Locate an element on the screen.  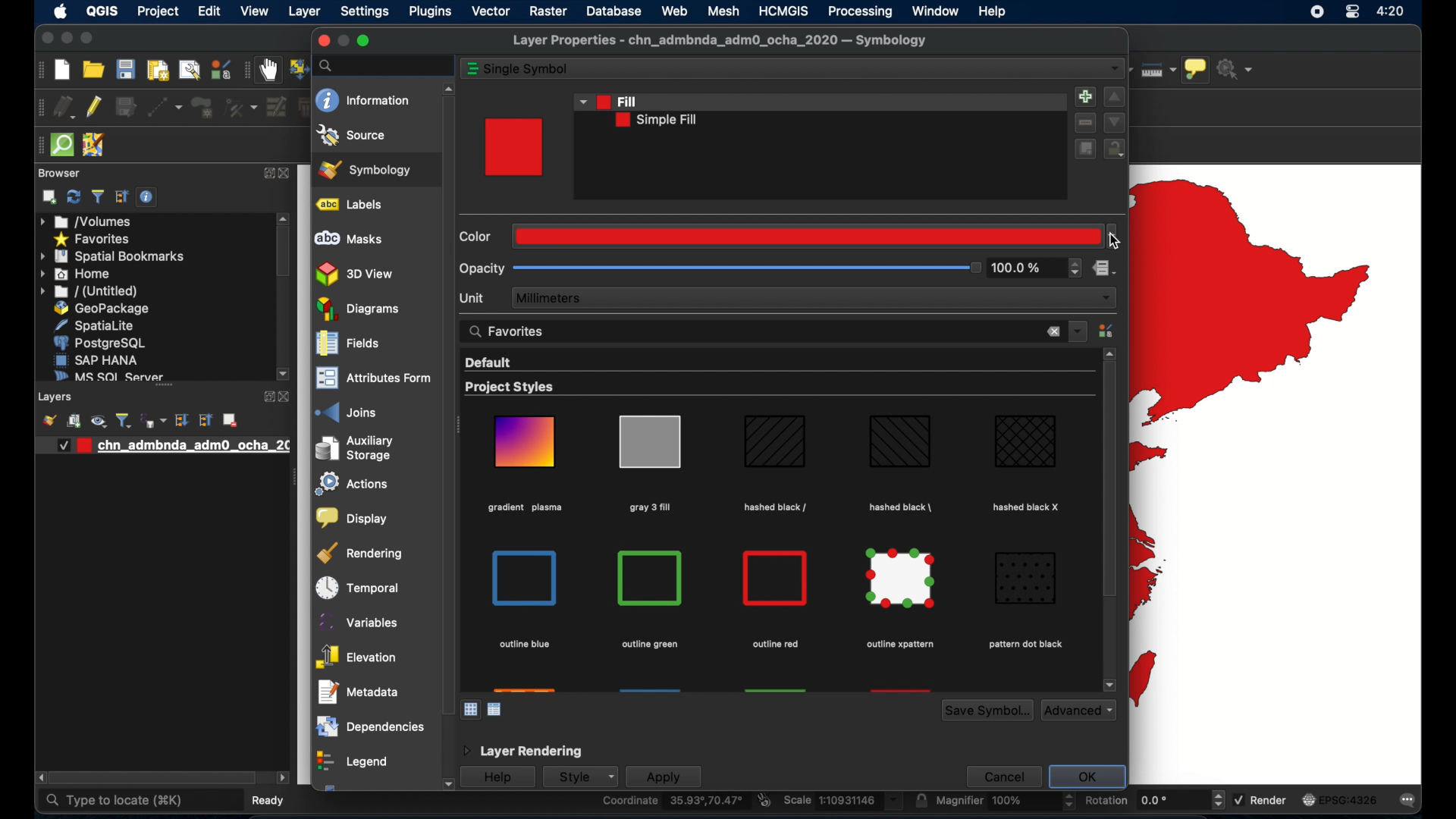
temporal is located at coordinates (354, 588).